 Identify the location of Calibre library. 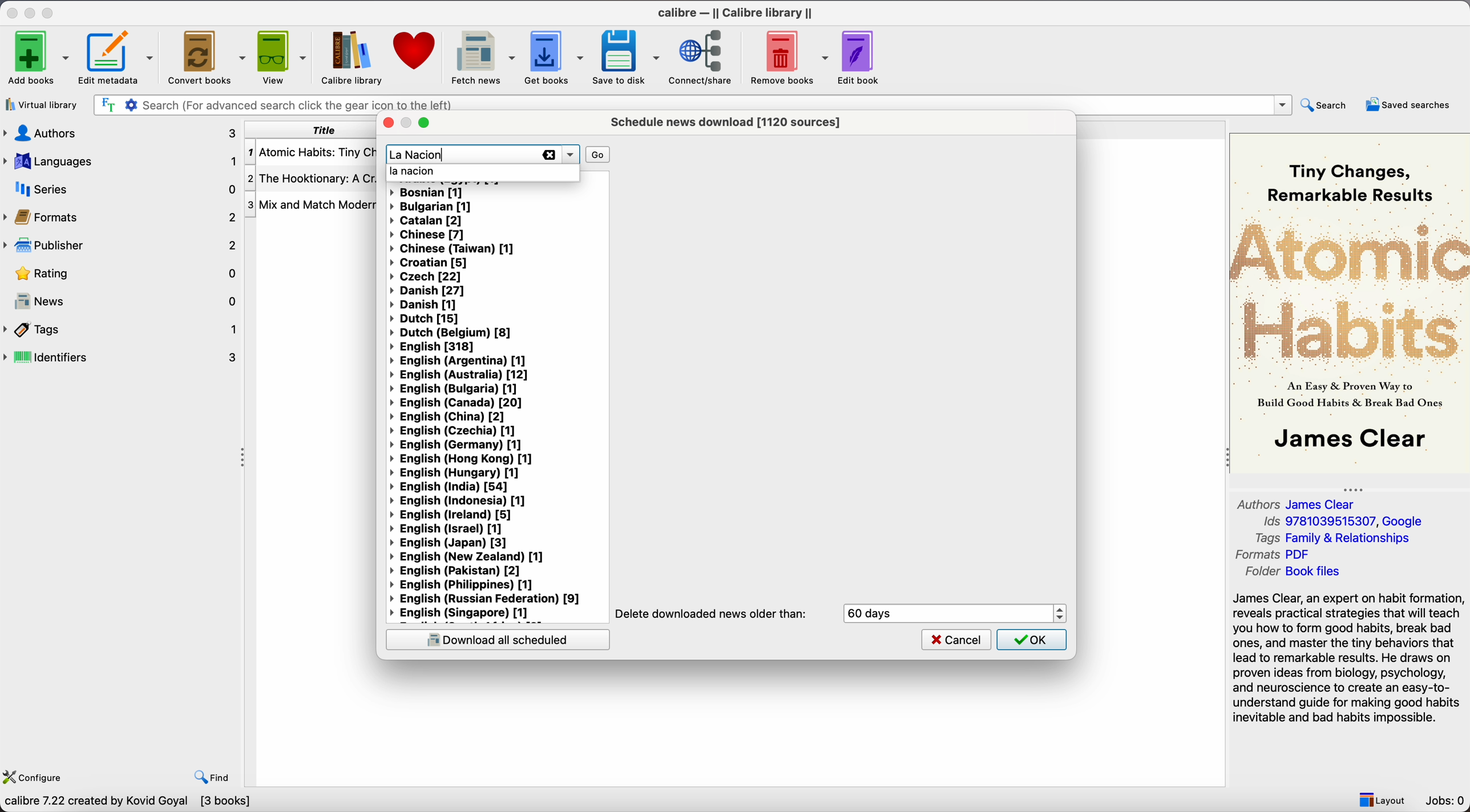
(351, 57).